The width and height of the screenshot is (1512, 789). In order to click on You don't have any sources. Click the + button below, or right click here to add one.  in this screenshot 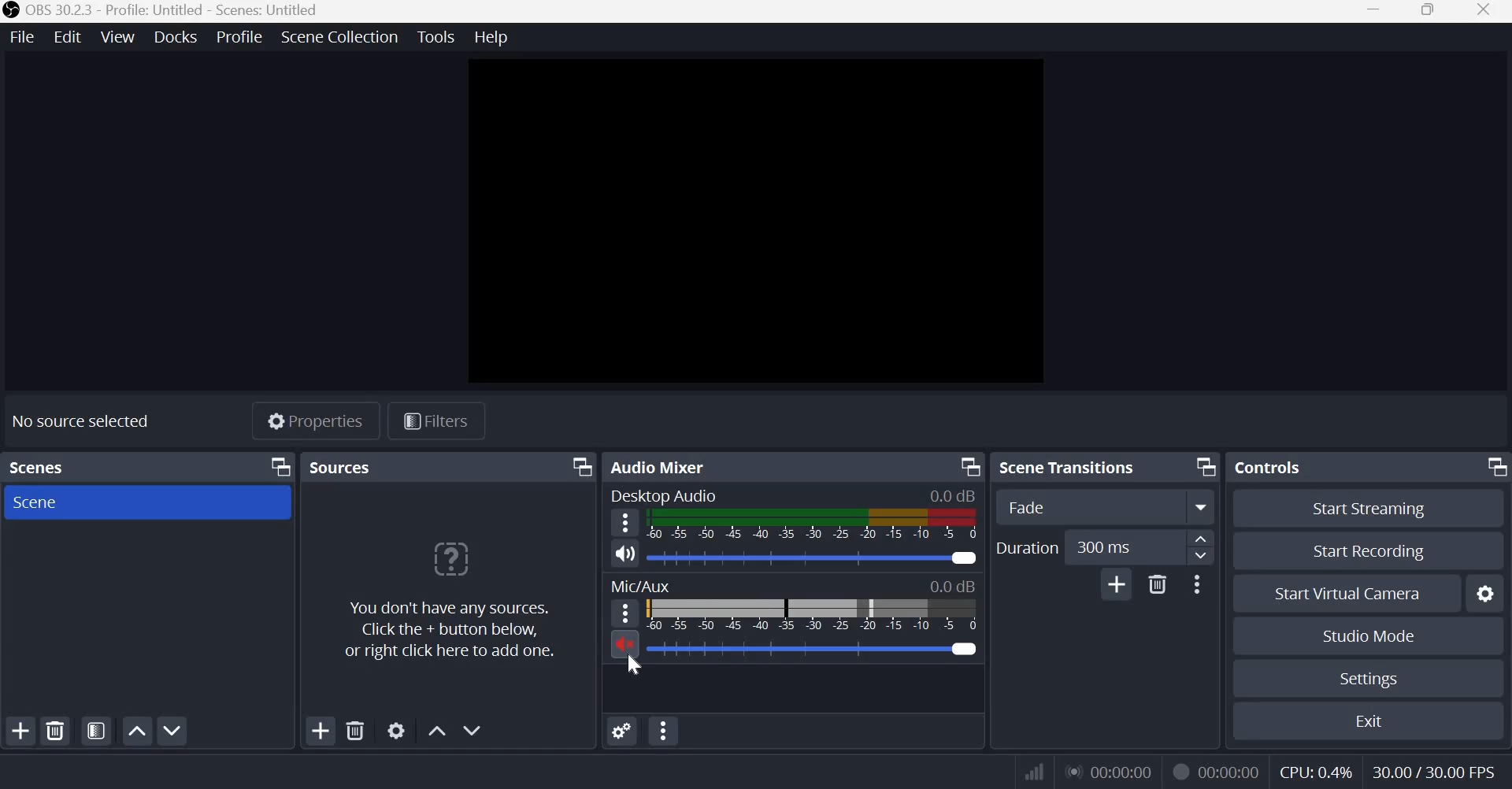, I will do `click(450, 601)`.